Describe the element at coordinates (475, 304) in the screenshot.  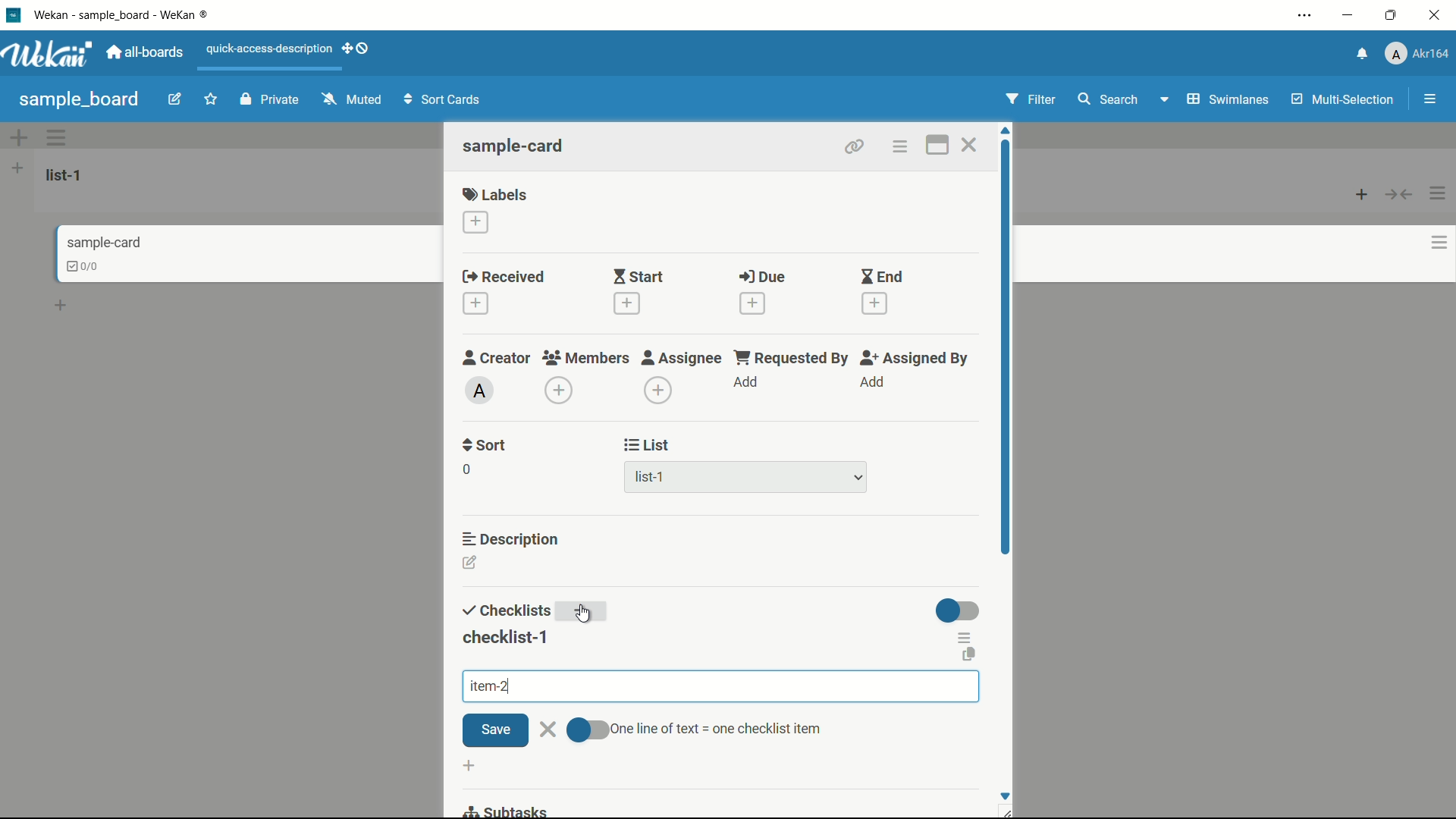
I see `add date` at that location.